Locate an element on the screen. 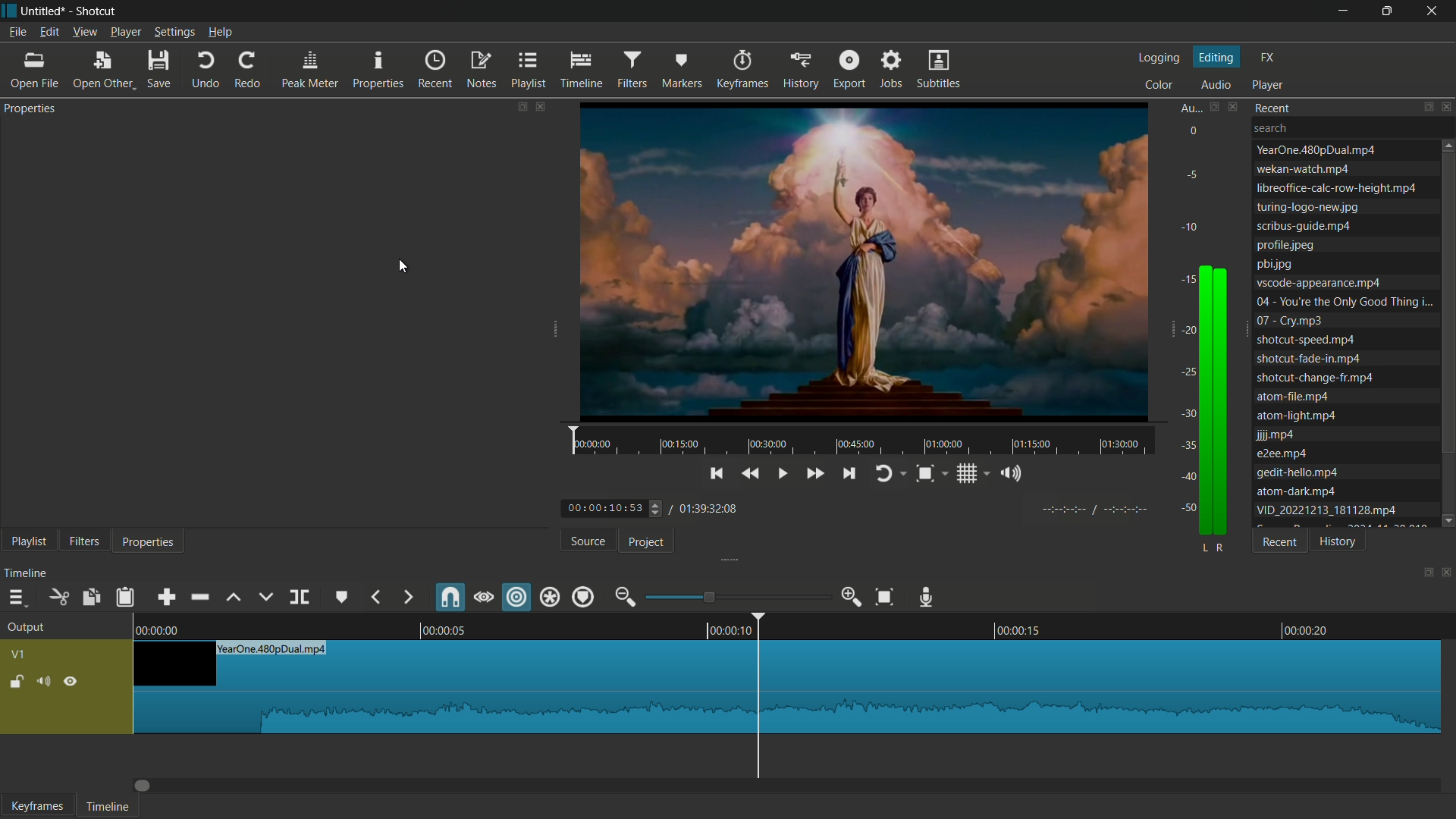  timeline is located at coordinates (108, 807).